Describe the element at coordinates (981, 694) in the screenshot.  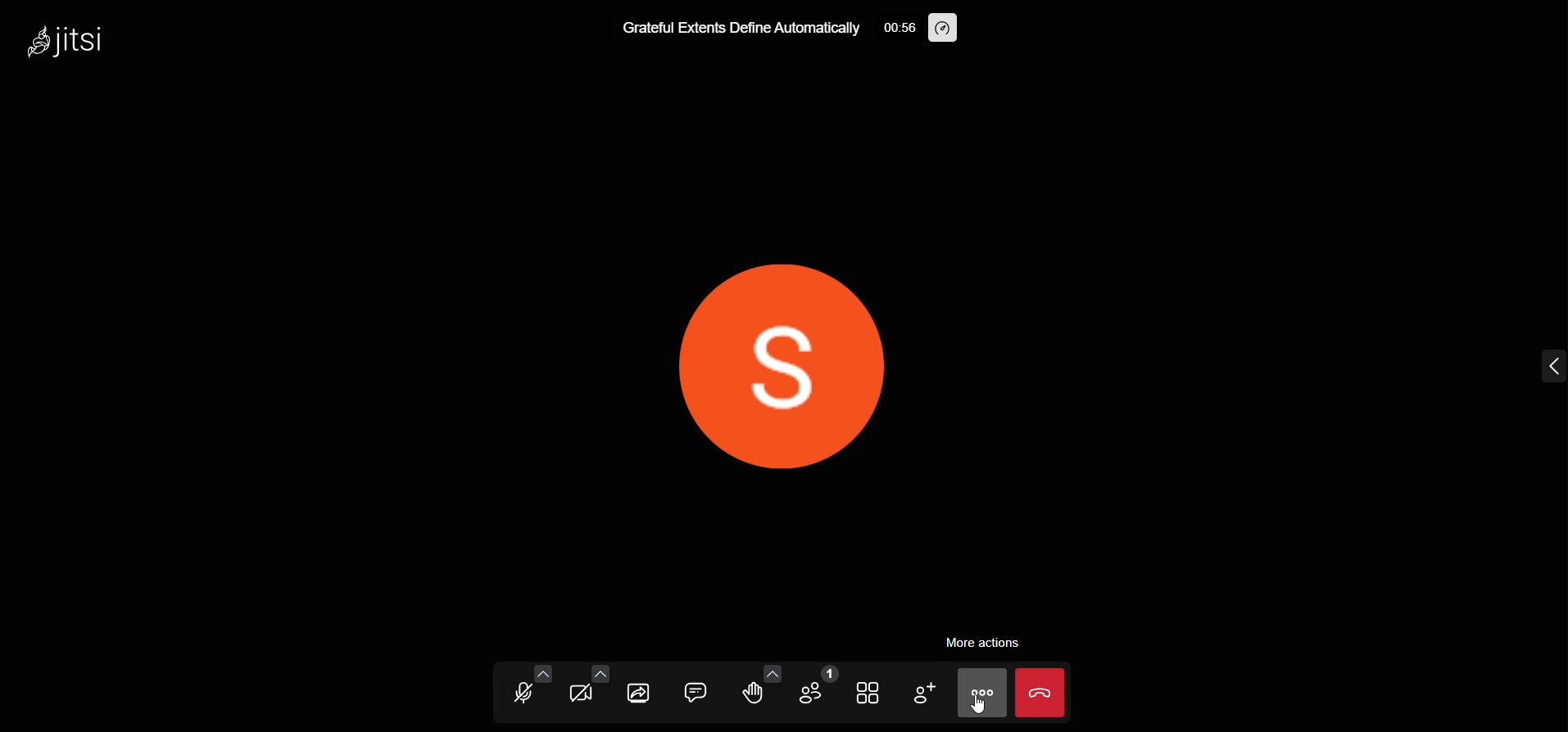
I see `more` at that location.